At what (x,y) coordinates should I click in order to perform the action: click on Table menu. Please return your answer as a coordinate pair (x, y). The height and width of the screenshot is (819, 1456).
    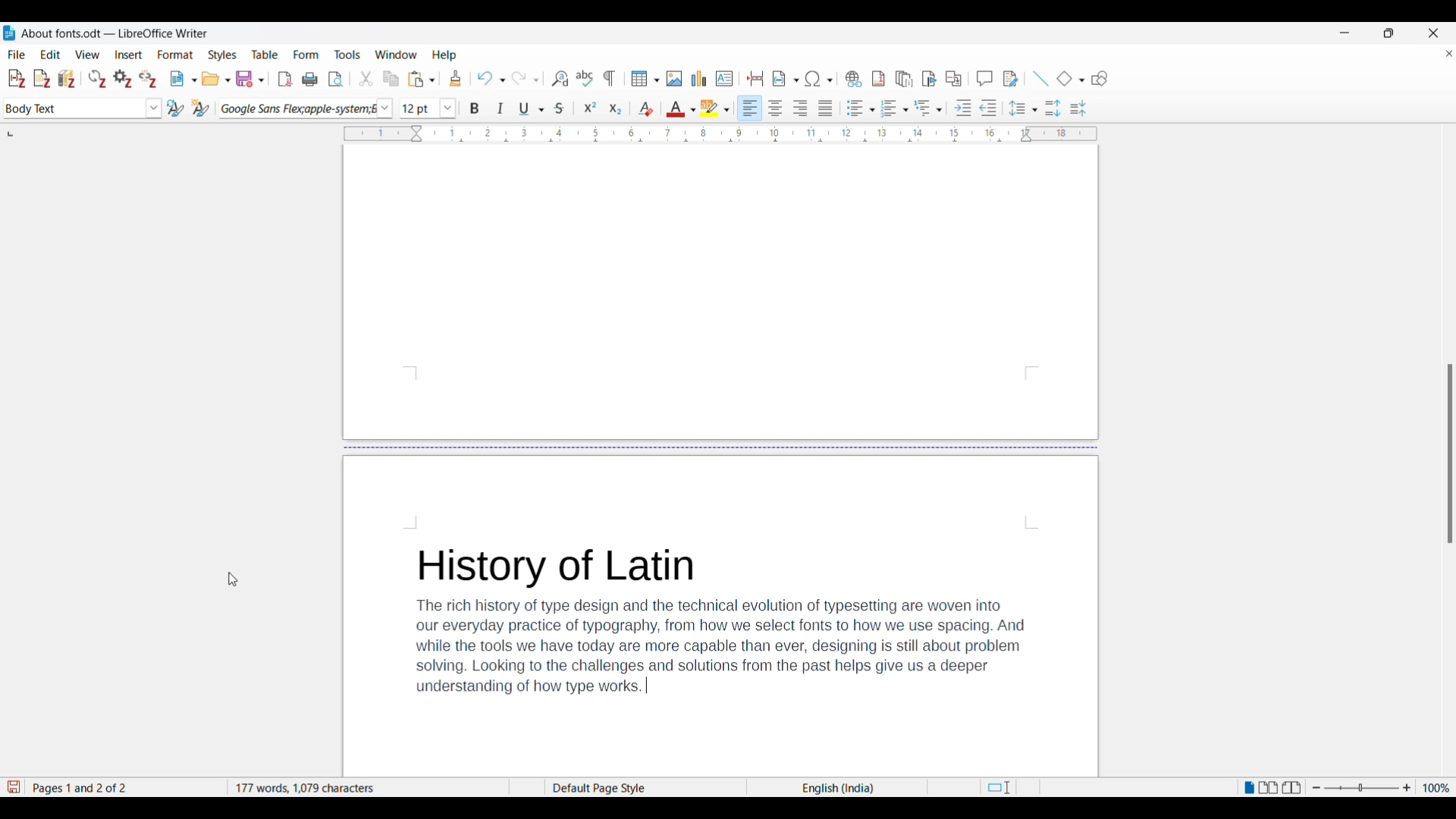
    Looking at the image, I should click on (265, 55).